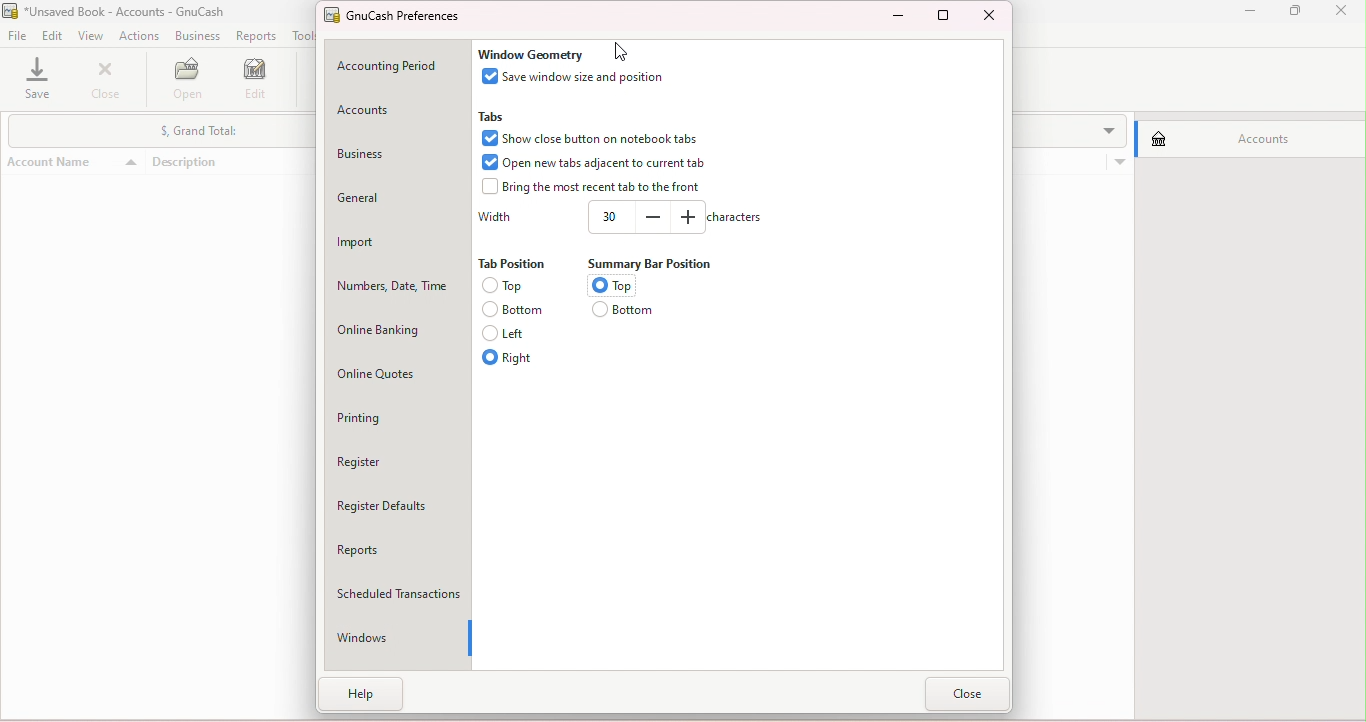  What do you see at coordinates (1245, 136) in the screenshot?
I see `Accounts` at bounding box center [1245, 136].